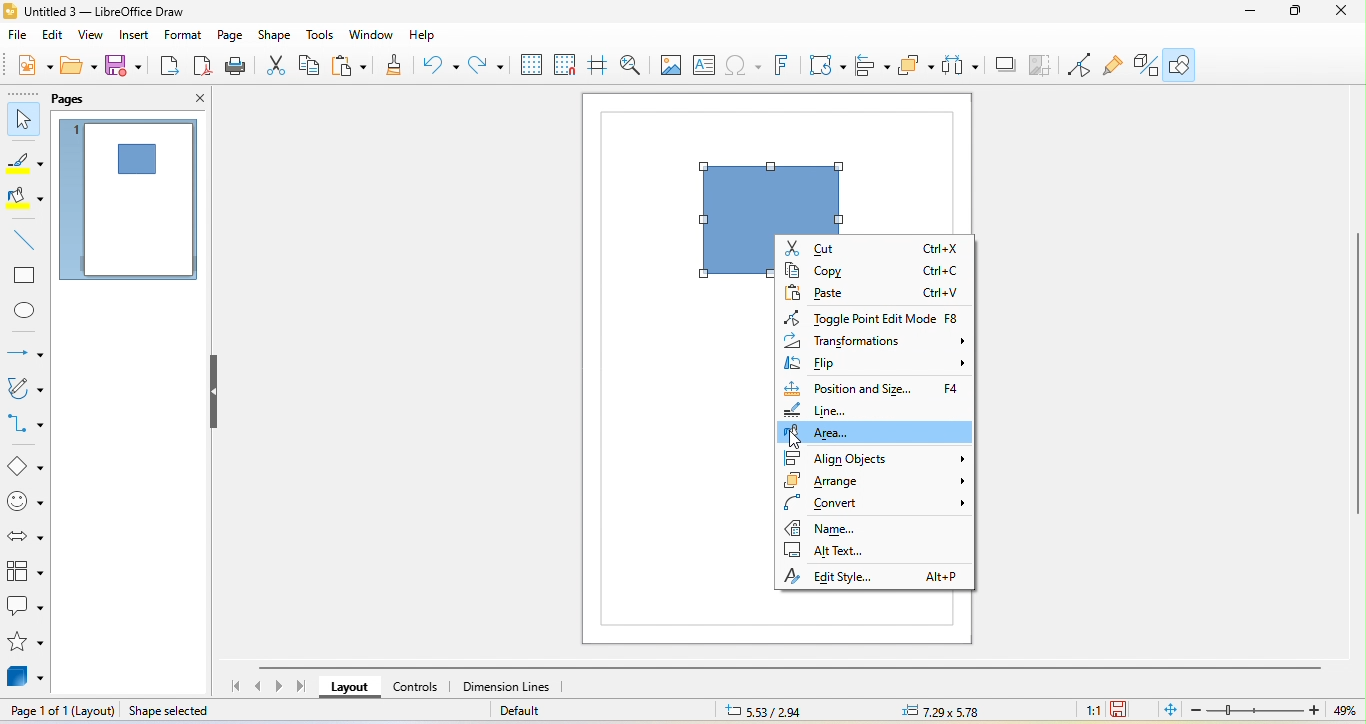 The height and width of the screenshot is (724, 1366). I want to click on paste, so click(353, 68).